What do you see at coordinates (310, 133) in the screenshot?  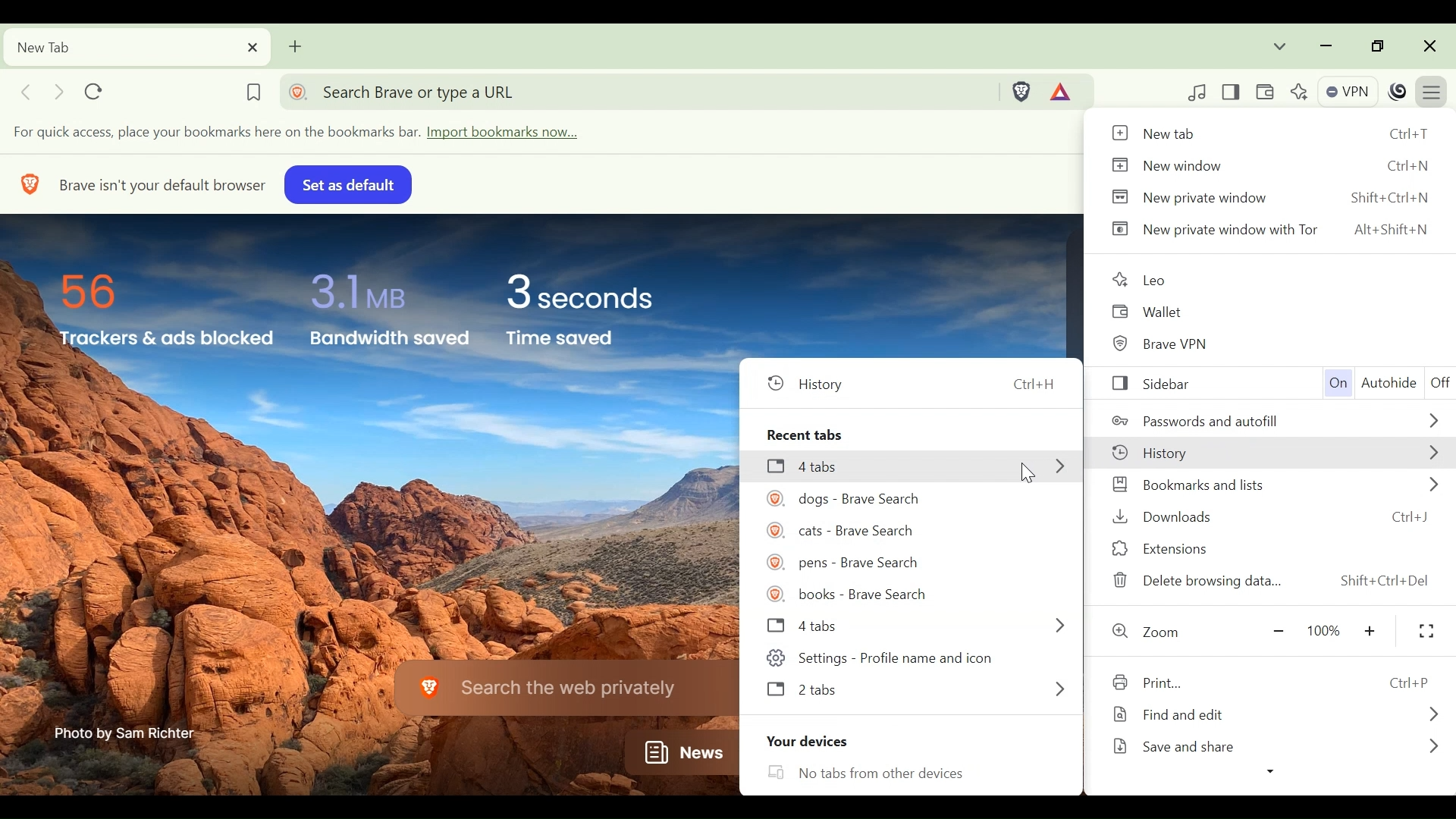 I see `Import bookmarks` at bounding box center [310, 133].